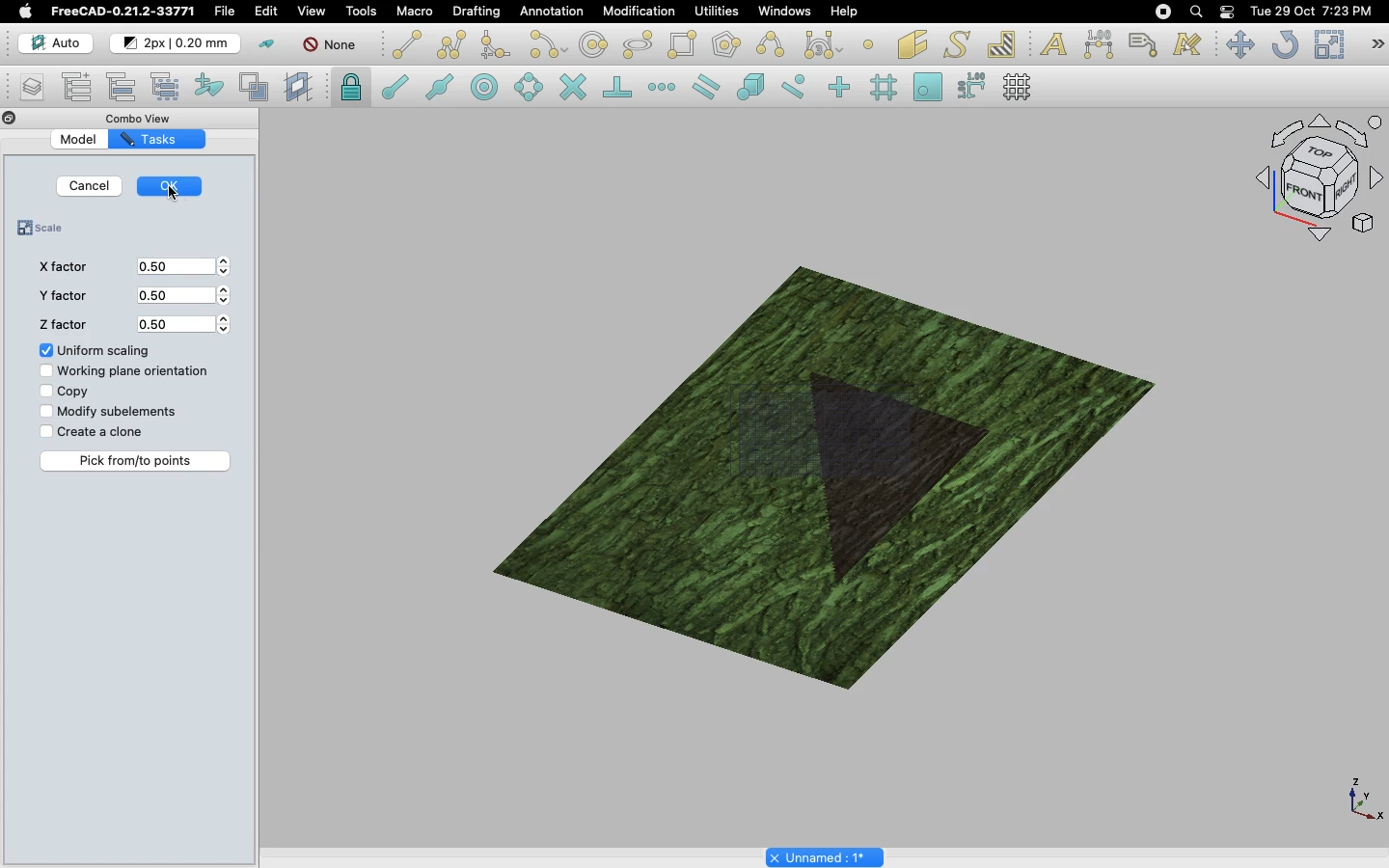  I want to click on Snap endpoint, so click(392, 84).